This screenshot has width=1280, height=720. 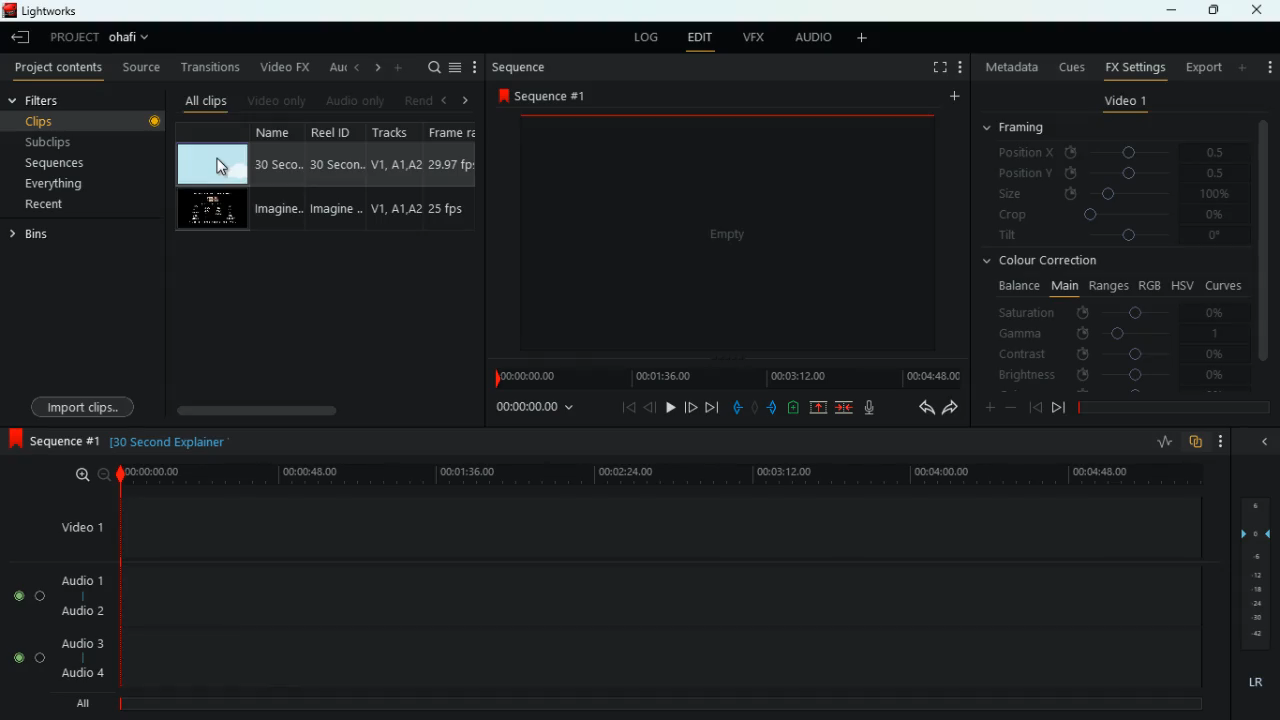 I want to click on crop, so click(x=1118, y=216).